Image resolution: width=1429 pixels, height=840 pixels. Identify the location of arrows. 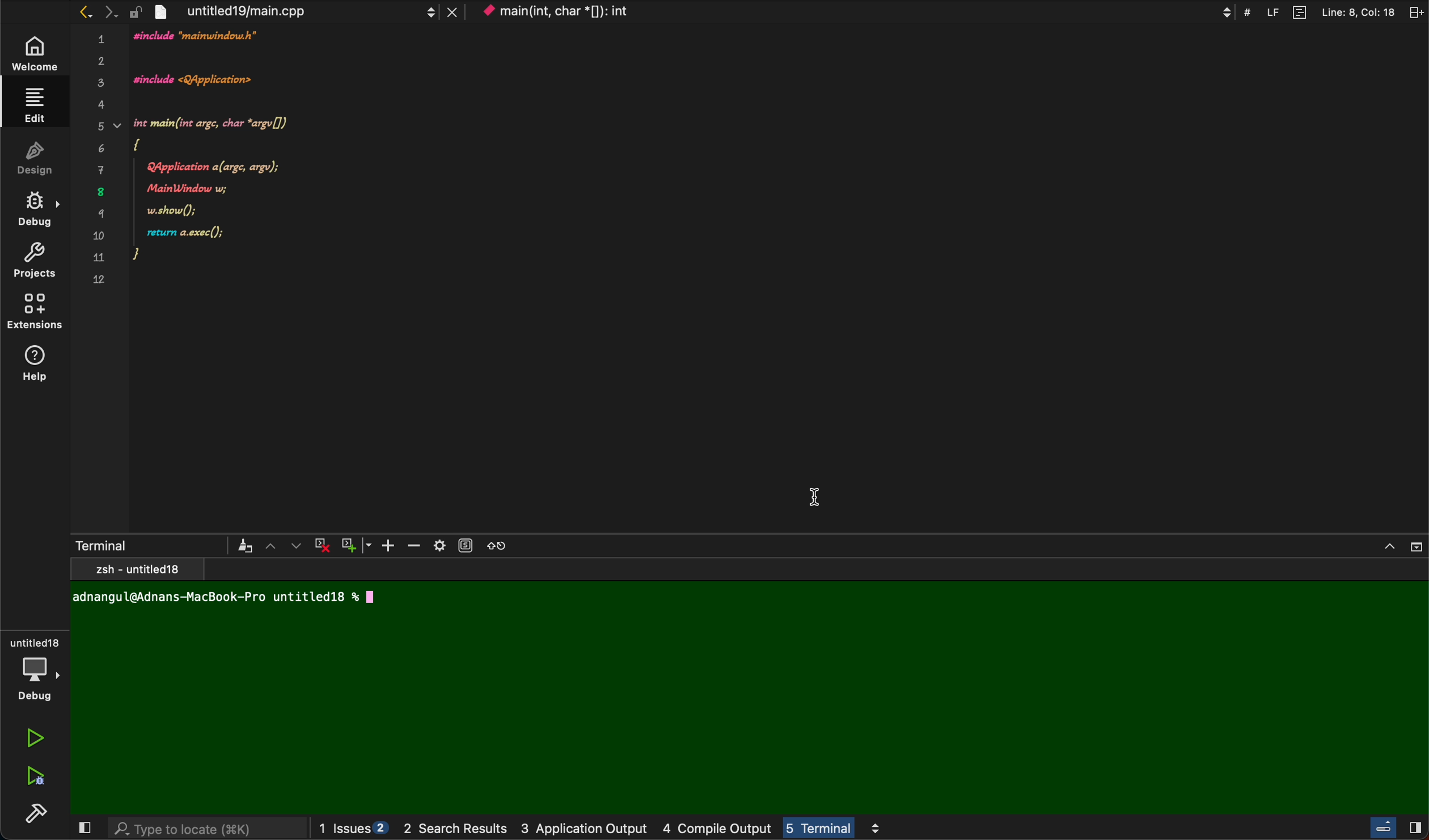
(282, 545).